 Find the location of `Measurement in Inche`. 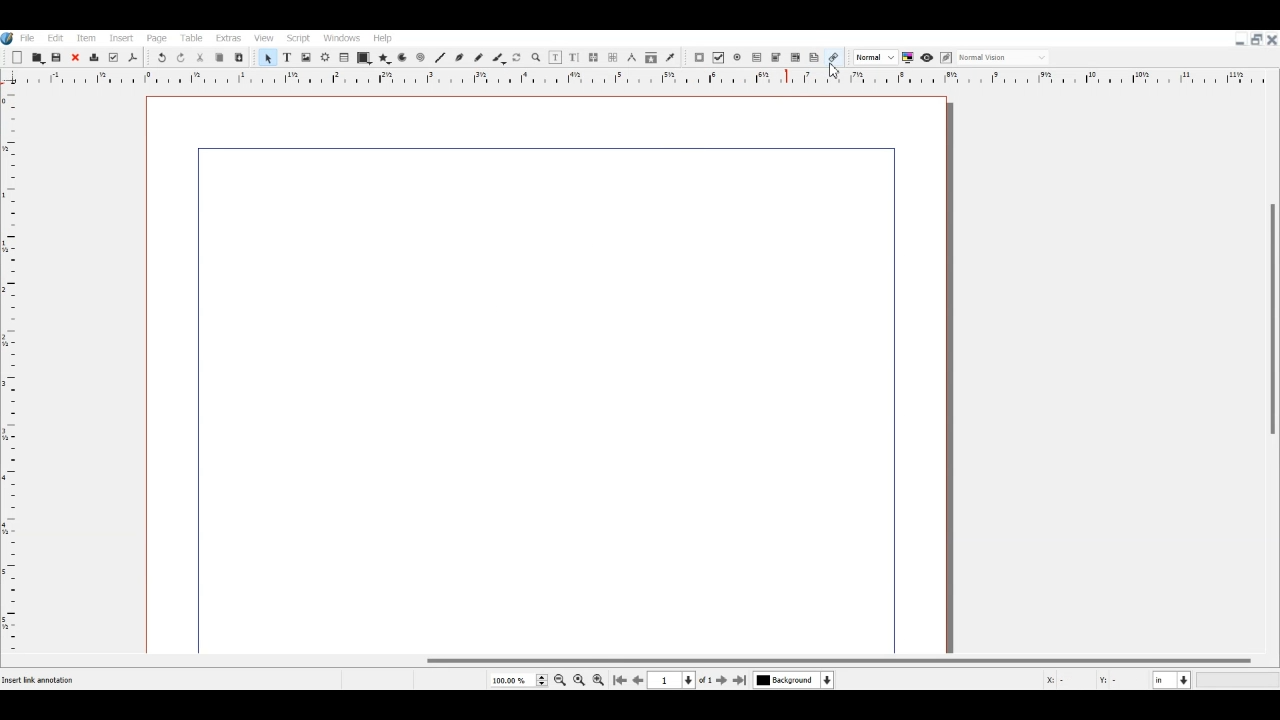

Measurement in Inche is located at coordinates (1172, 680).